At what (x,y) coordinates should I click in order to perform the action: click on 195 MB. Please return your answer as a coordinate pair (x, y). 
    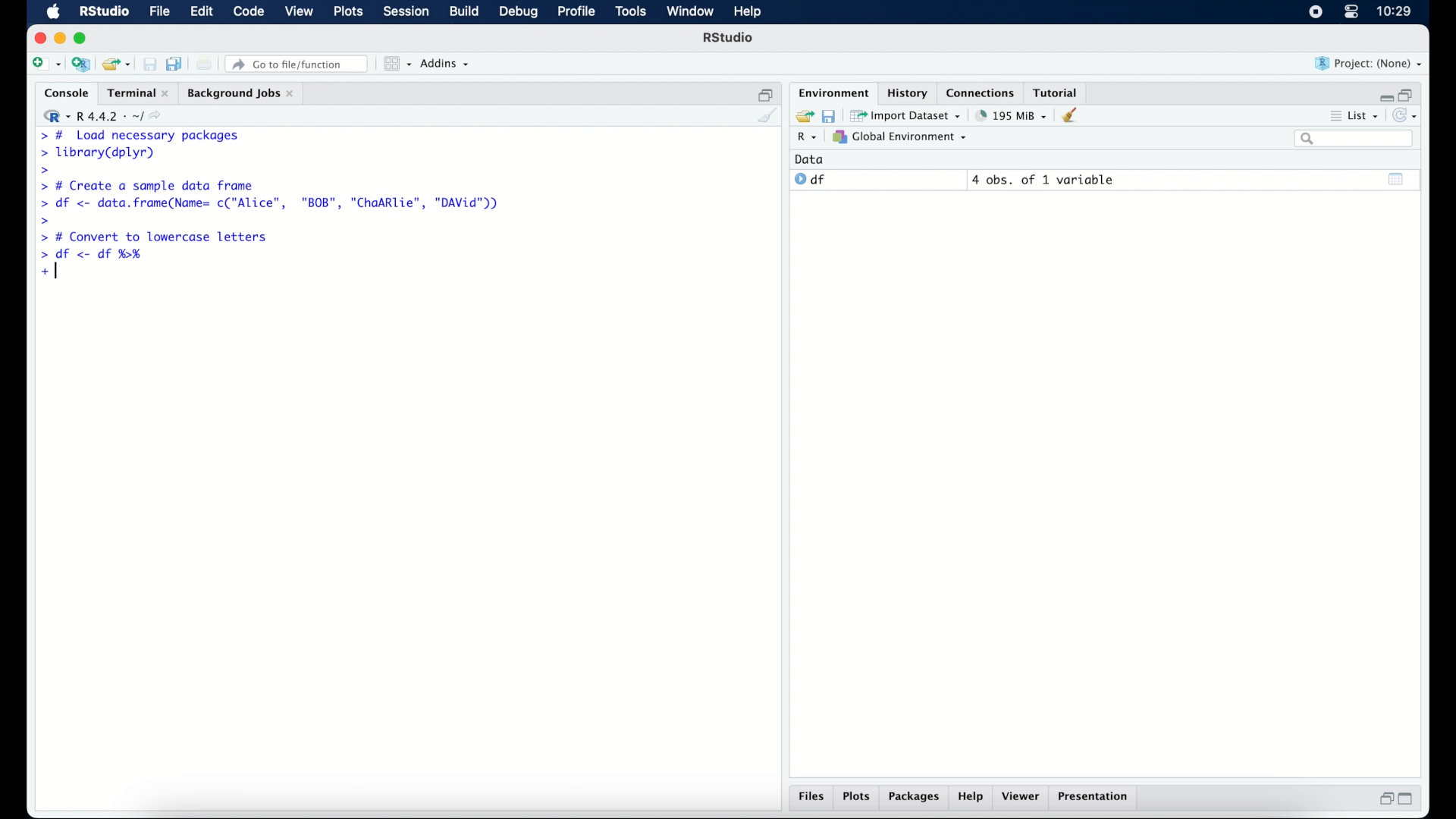
    Looking at the image, I should click on (1010, 115).